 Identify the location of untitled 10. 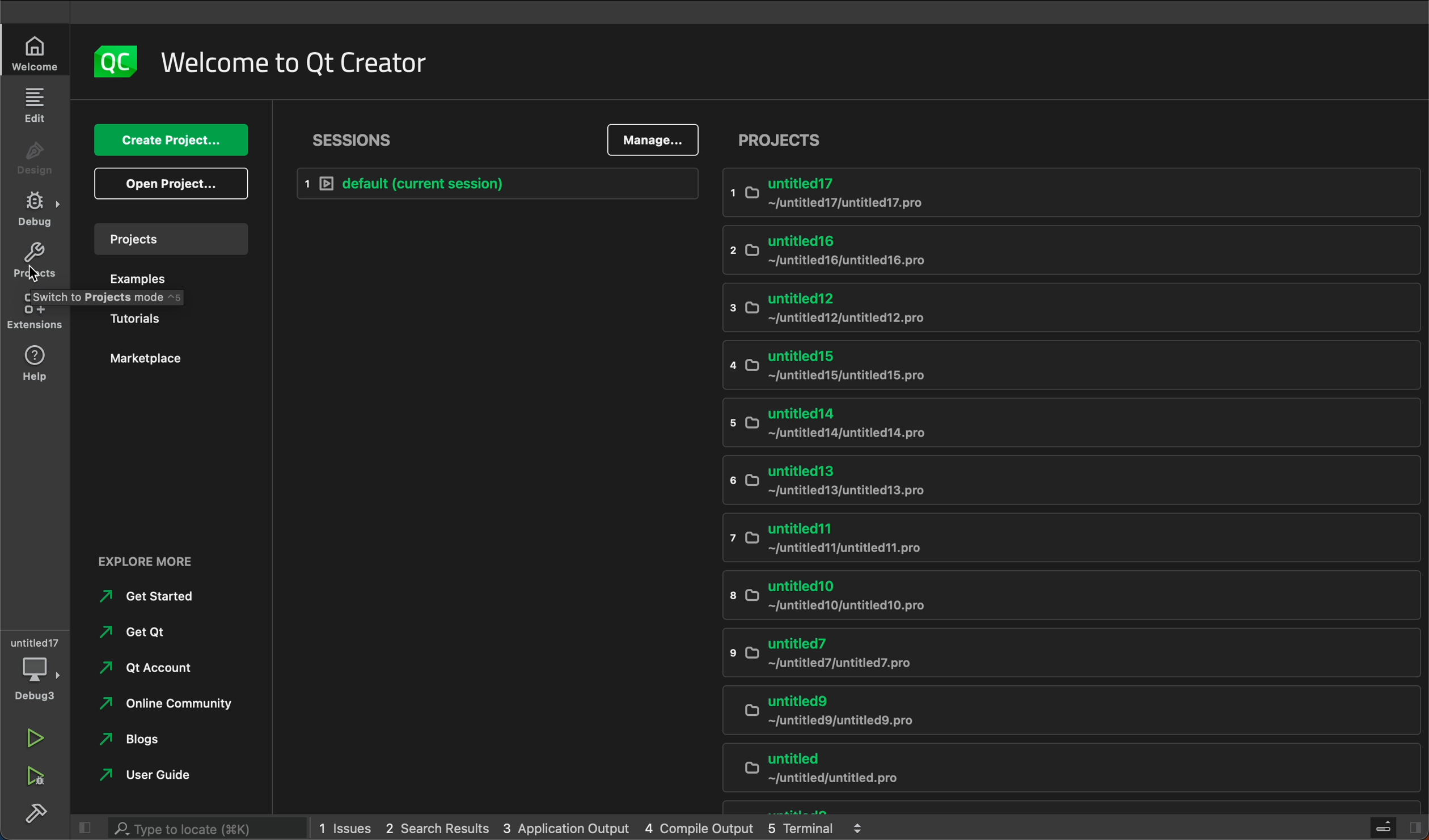
(1062, 594).